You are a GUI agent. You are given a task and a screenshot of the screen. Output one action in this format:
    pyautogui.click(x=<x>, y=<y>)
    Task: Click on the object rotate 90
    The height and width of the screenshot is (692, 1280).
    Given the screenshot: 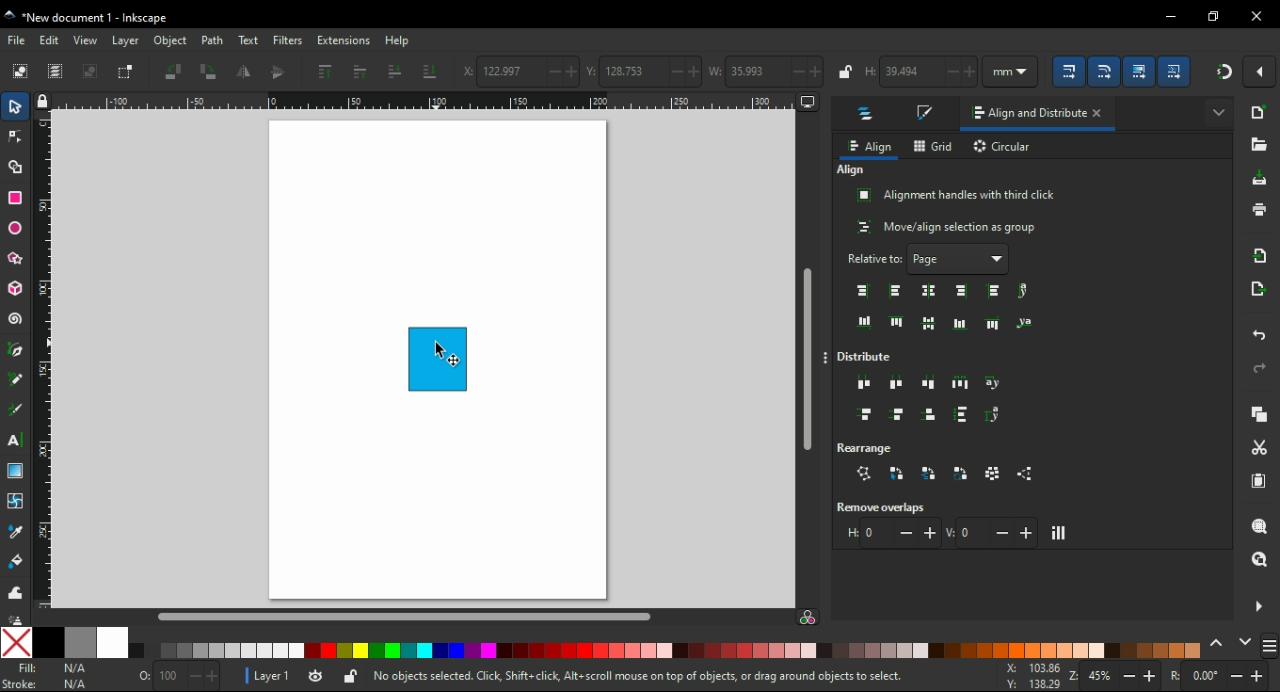 What is the action you would take?
    pyautogui.click(x=211, y=72)
    